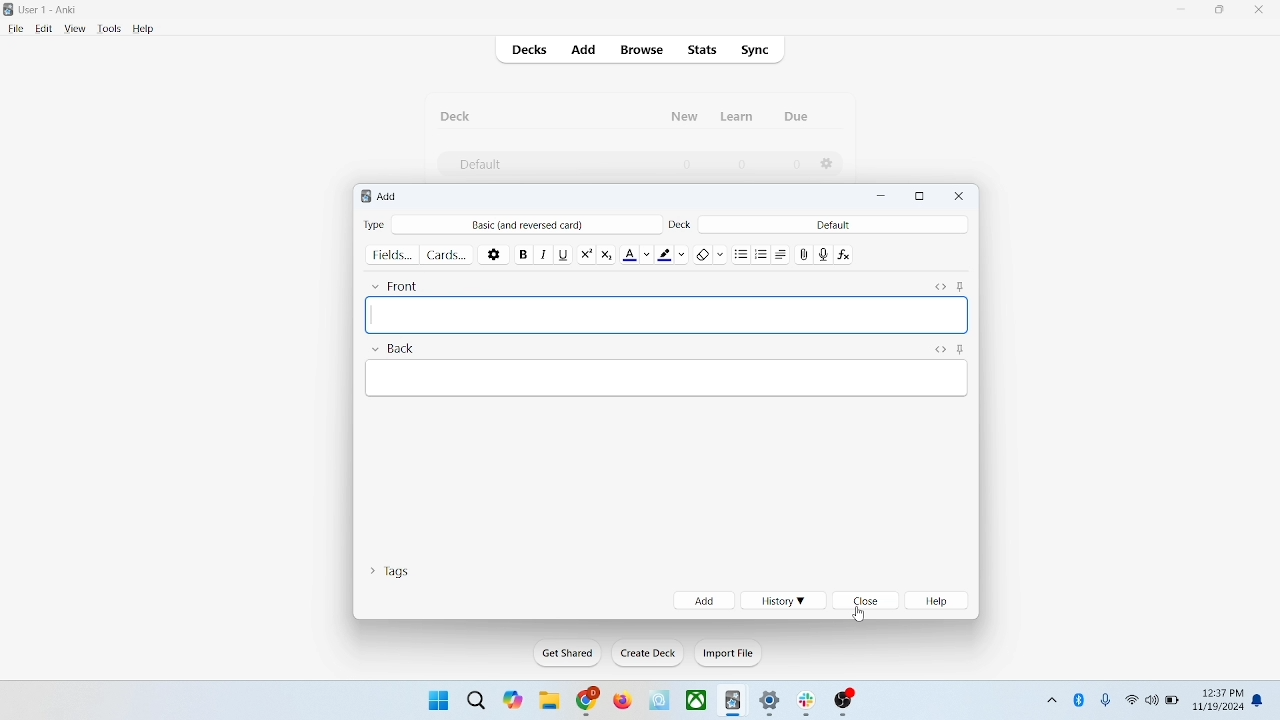  Describe the element at coordinates (649, 653) in the screenshot. I see `create deck` at that location.